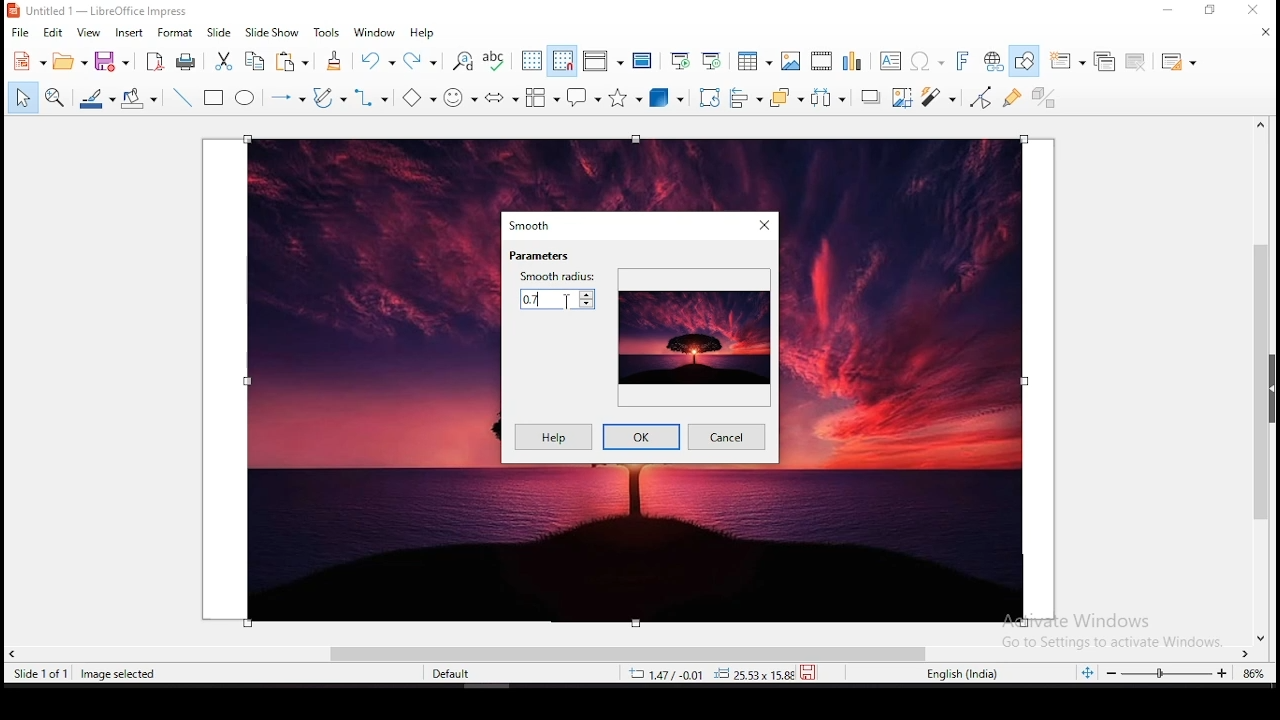  What do you see at coordinates (763, 224) in the screenshot?
I see `close window` at bounding box center [763, 224].